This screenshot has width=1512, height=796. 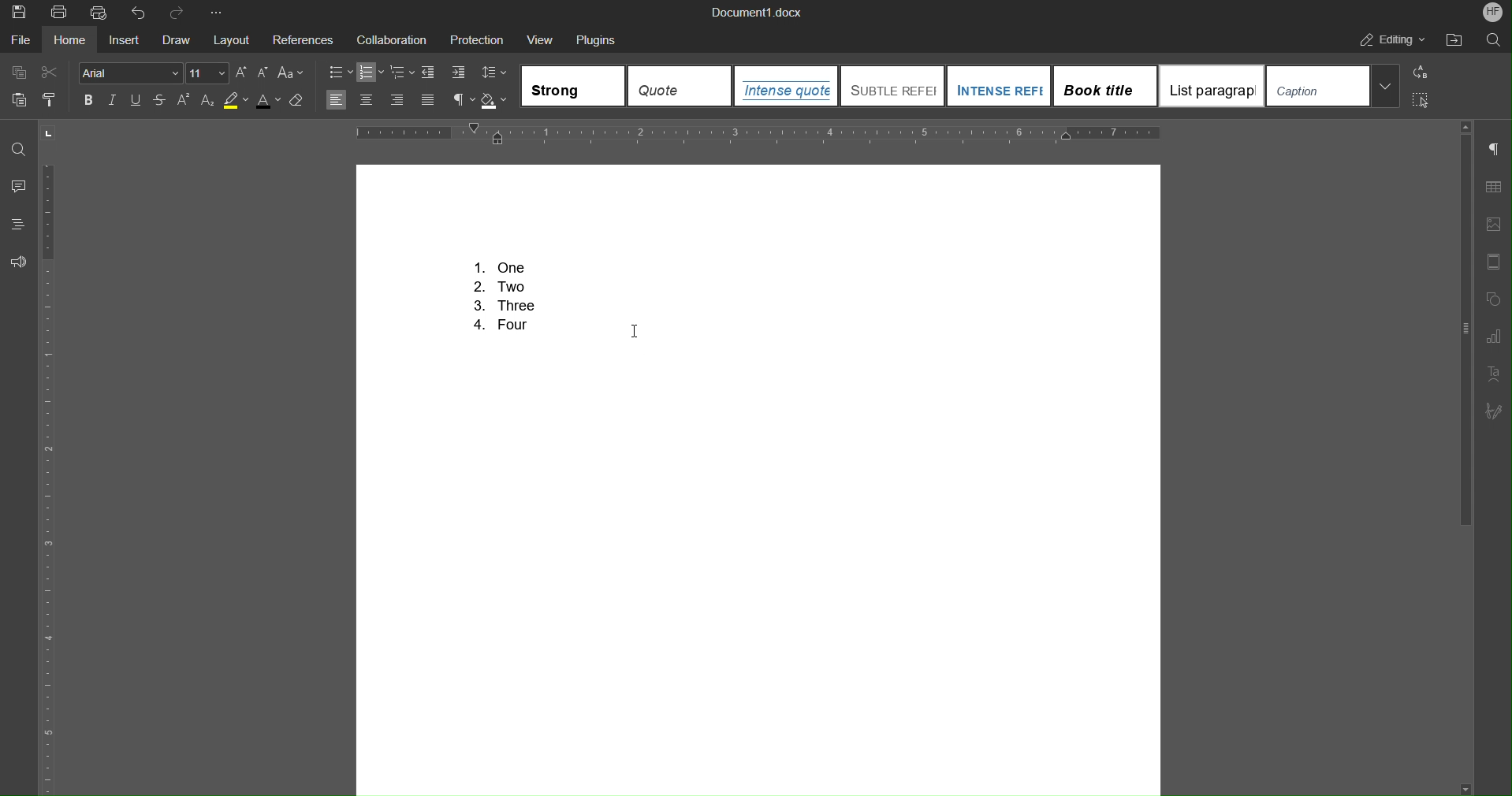 What do you see at coordinates (50, 73) in the screenshot?
I see `Cut` at bounding box center [50, 73].